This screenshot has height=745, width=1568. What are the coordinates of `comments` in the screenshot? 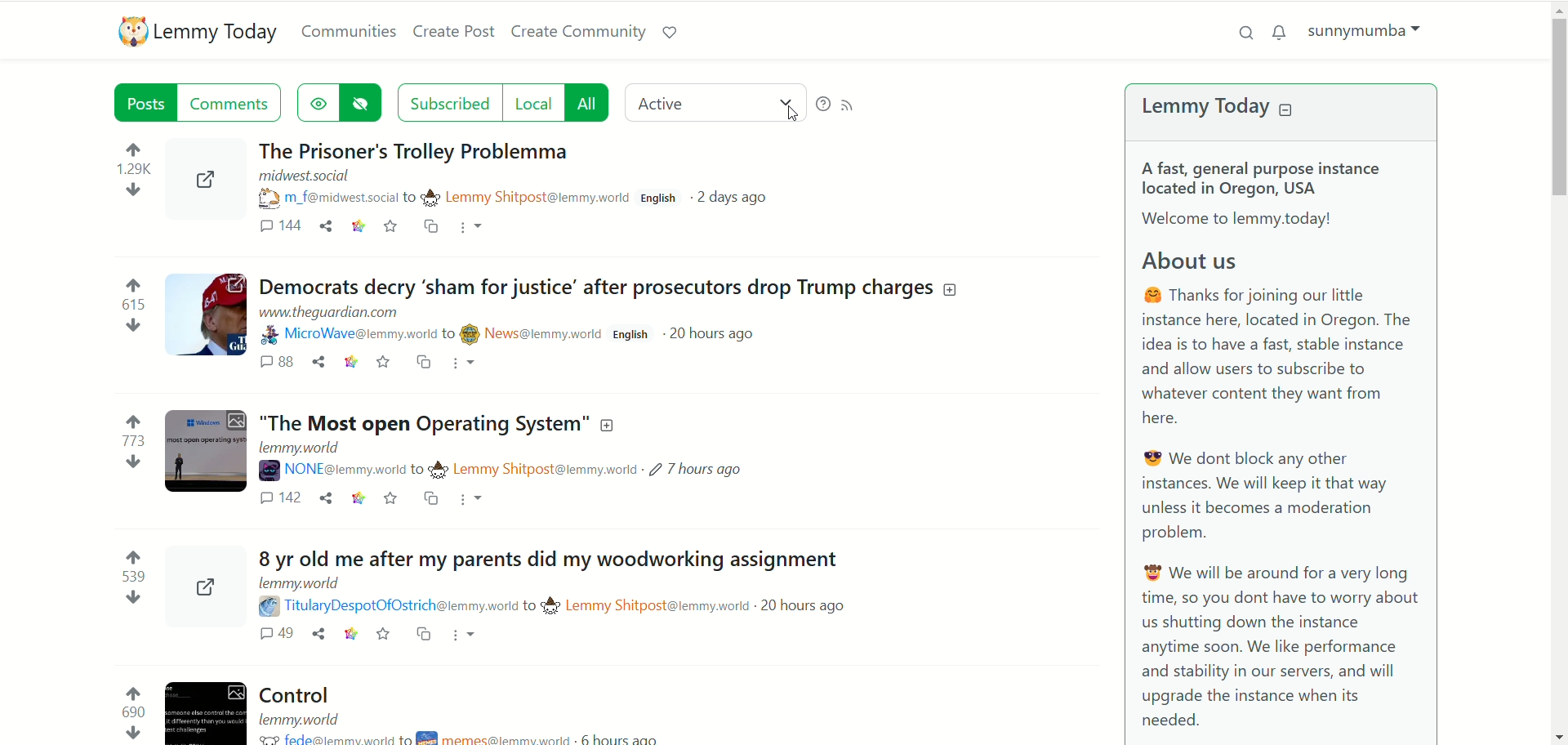 It's located at (278, 228).